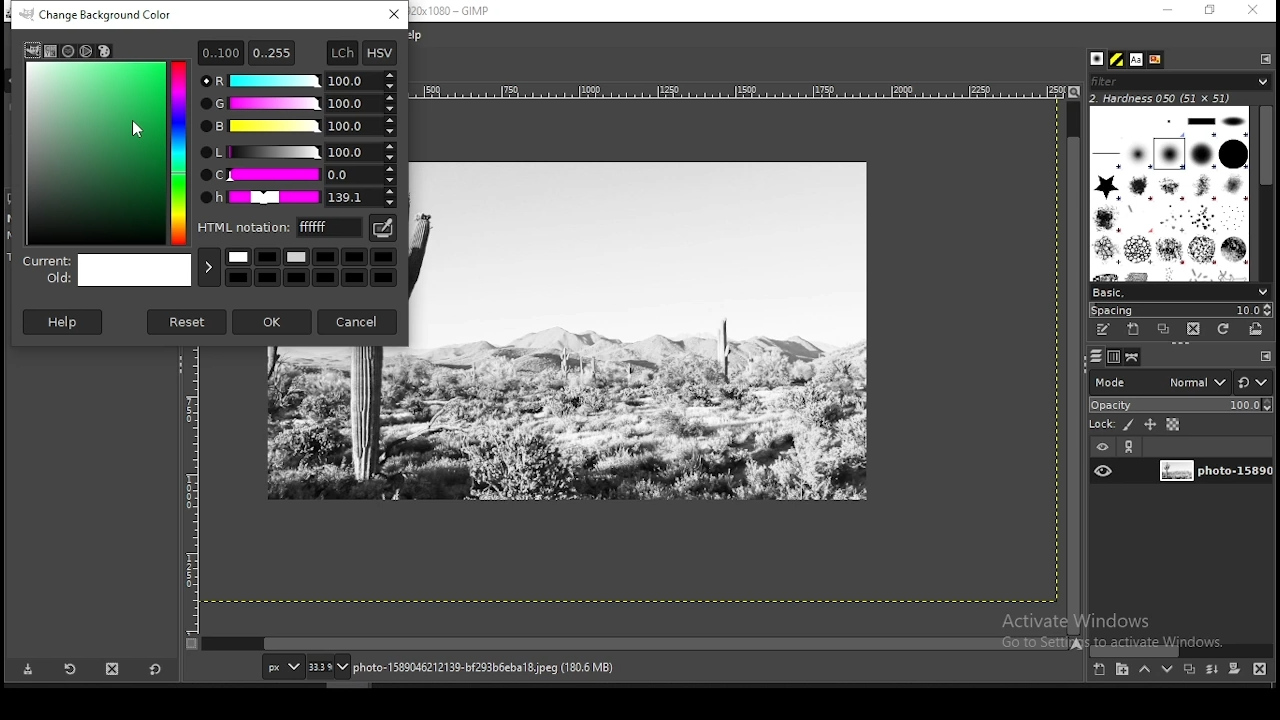  Describe the element at coordinates (1211, 10) in the screenshot. I see `restore` at that location.